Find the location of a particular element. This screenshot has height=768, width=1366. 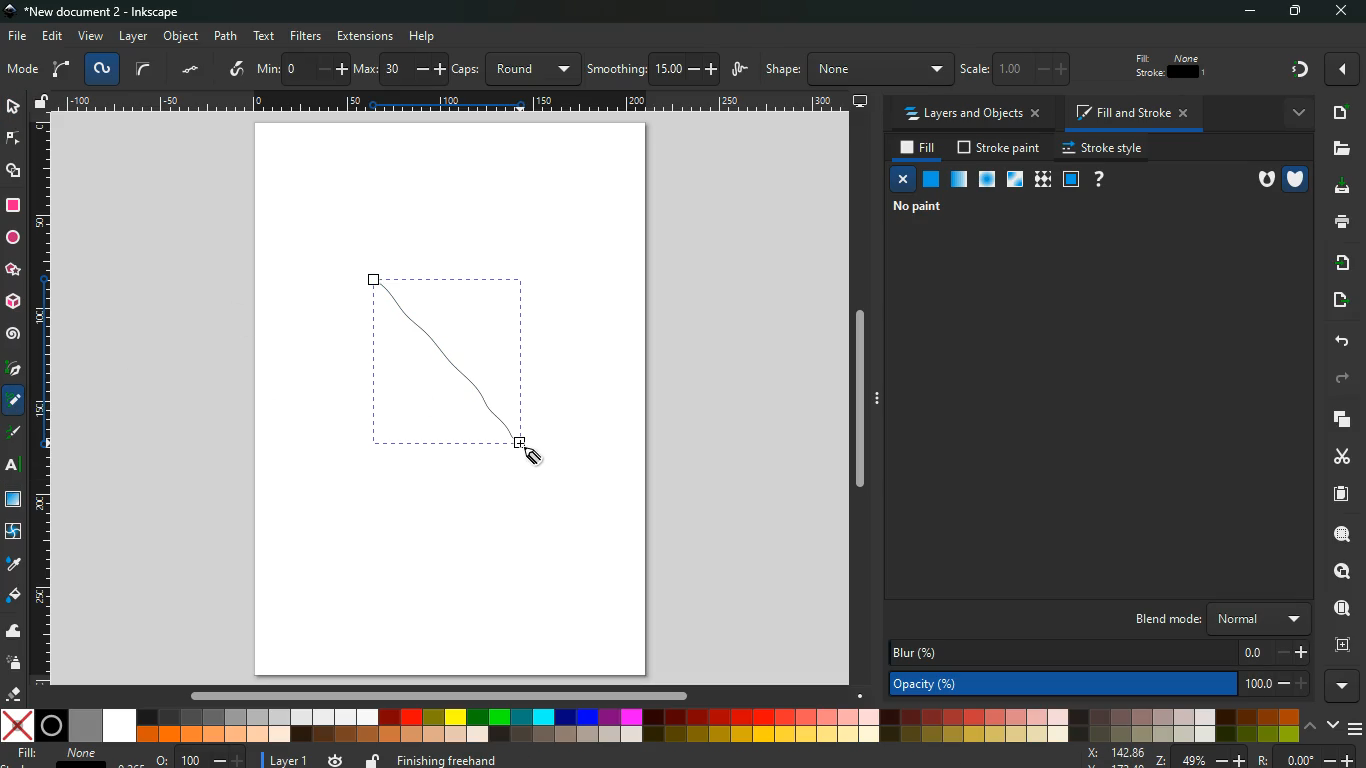

fill is located at coordinates (1171, 66).